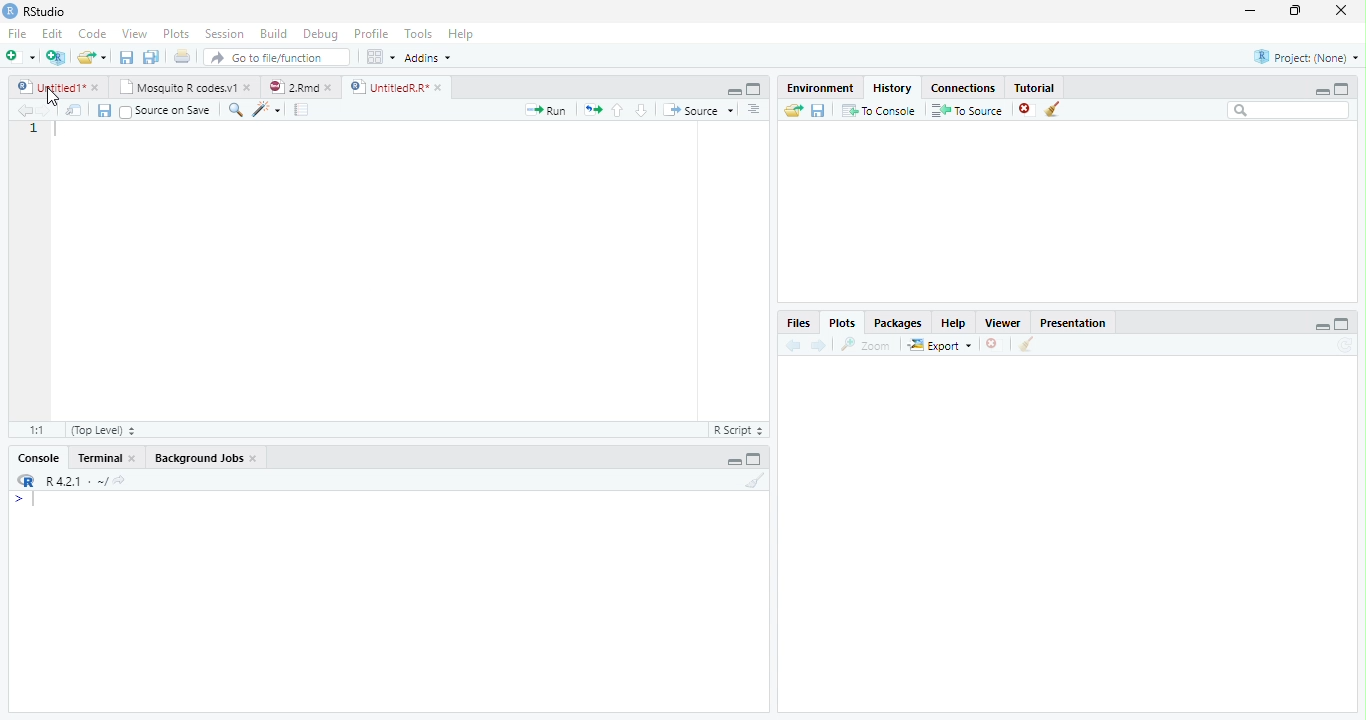  What do you see at coordinates (964, 89) in the screenshot?
I see `Connections` at bounding box center [964, 89].